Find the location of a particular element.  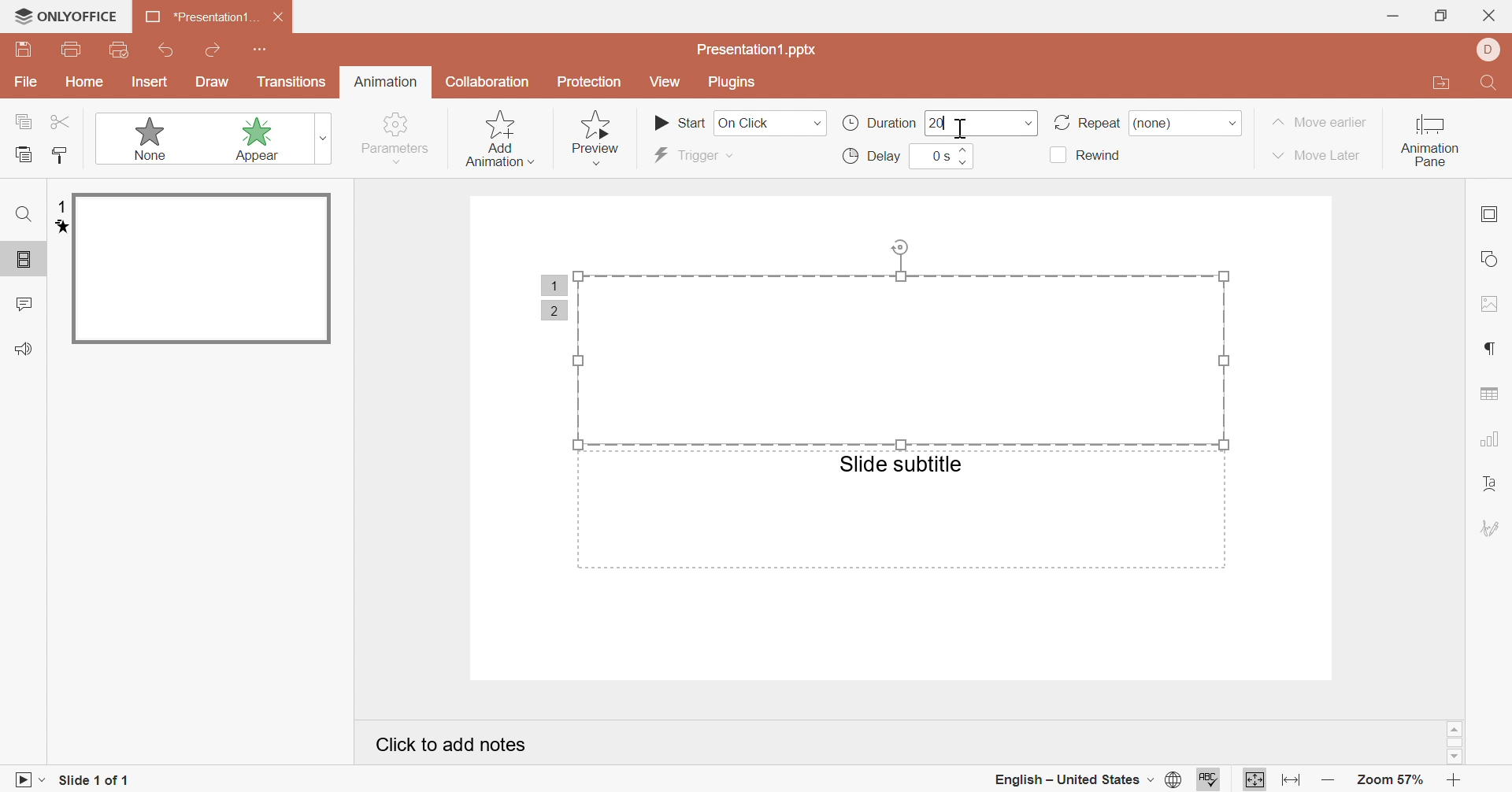

slide subtitle is located at coordinates (901, 464).